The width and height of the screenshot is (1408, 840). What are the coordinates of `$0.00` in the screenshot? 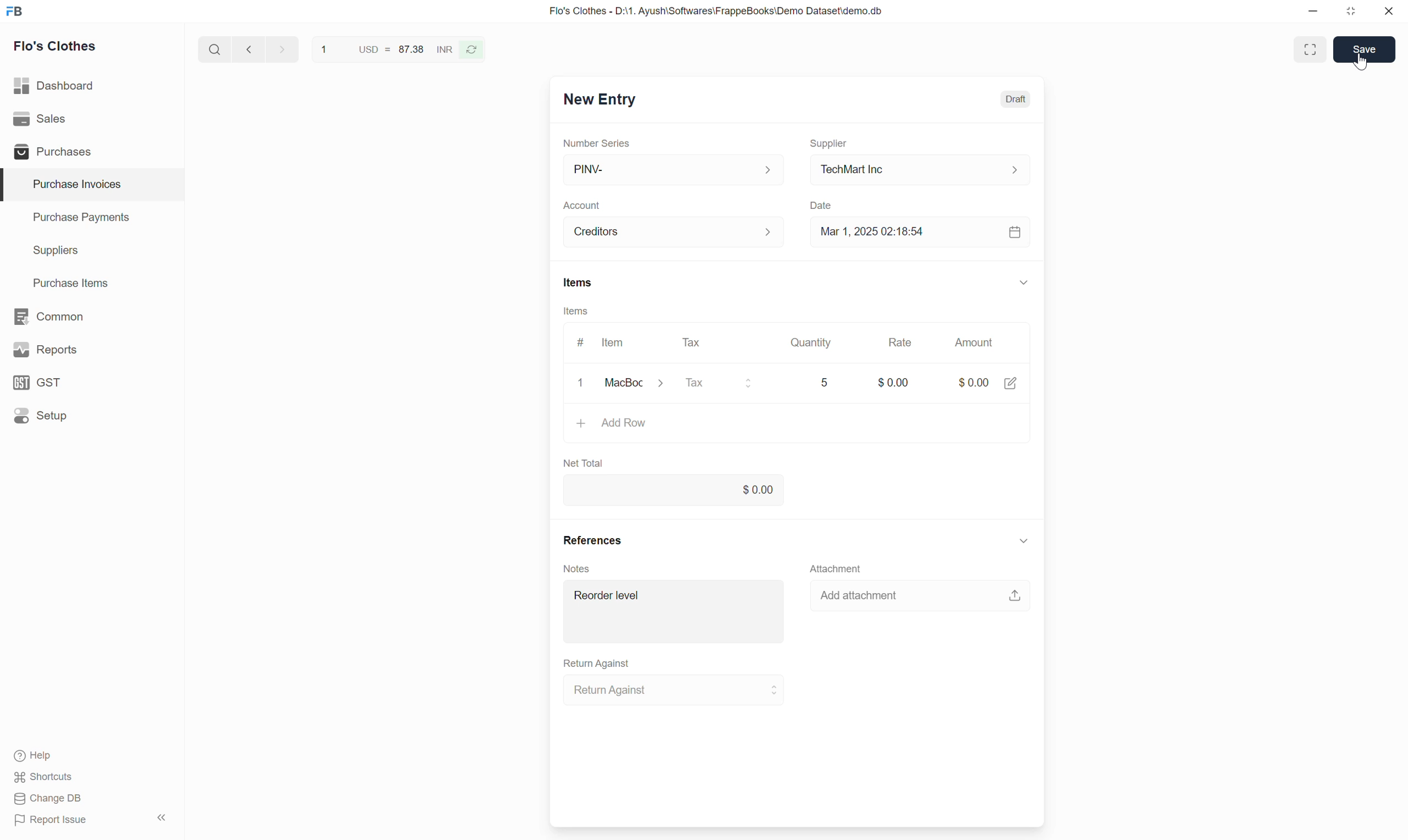 It's located at (988, 379).